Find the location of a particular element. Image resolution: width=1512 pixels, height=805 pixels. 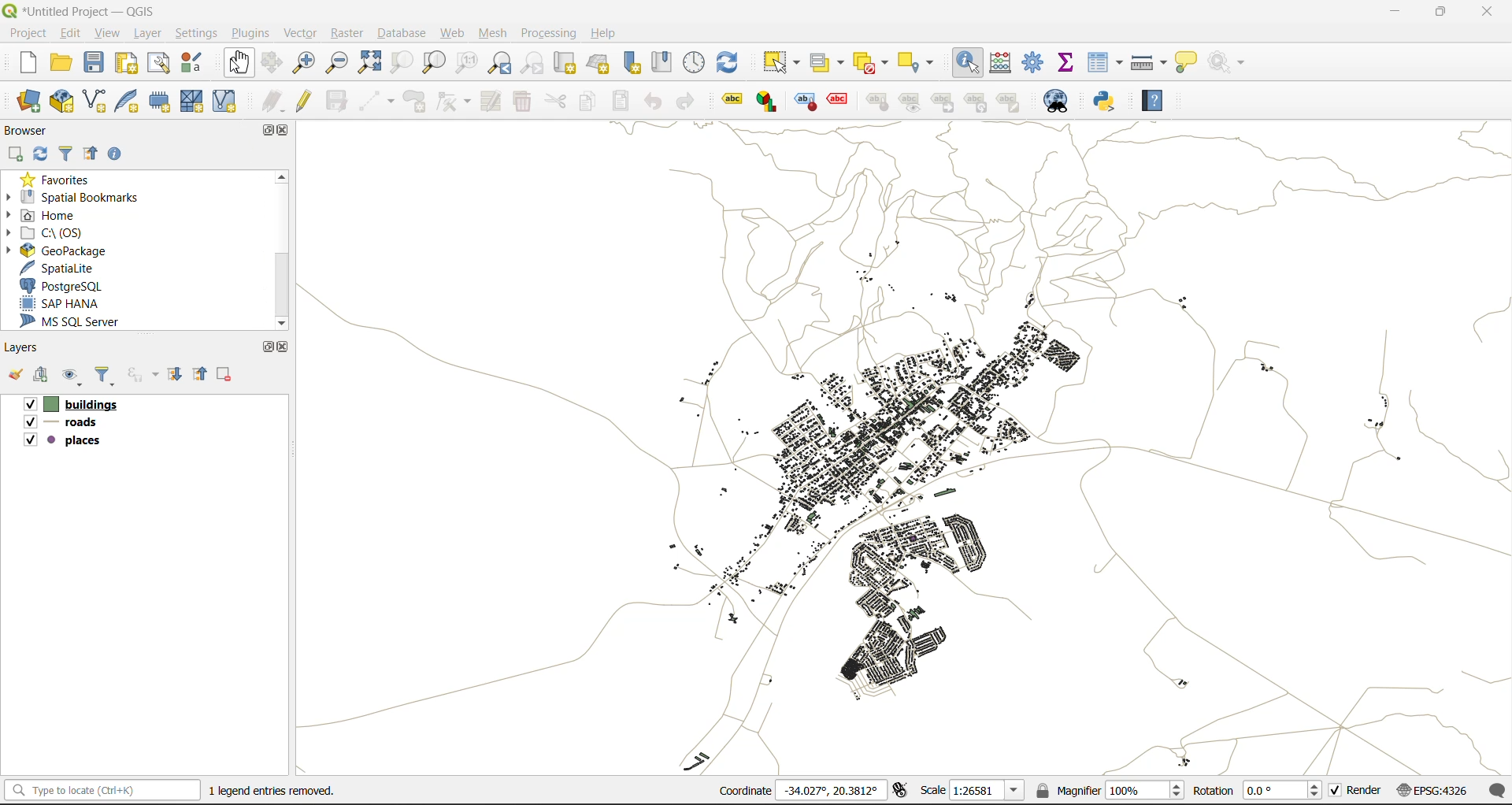

new map view is located at coordinates (570, 64).